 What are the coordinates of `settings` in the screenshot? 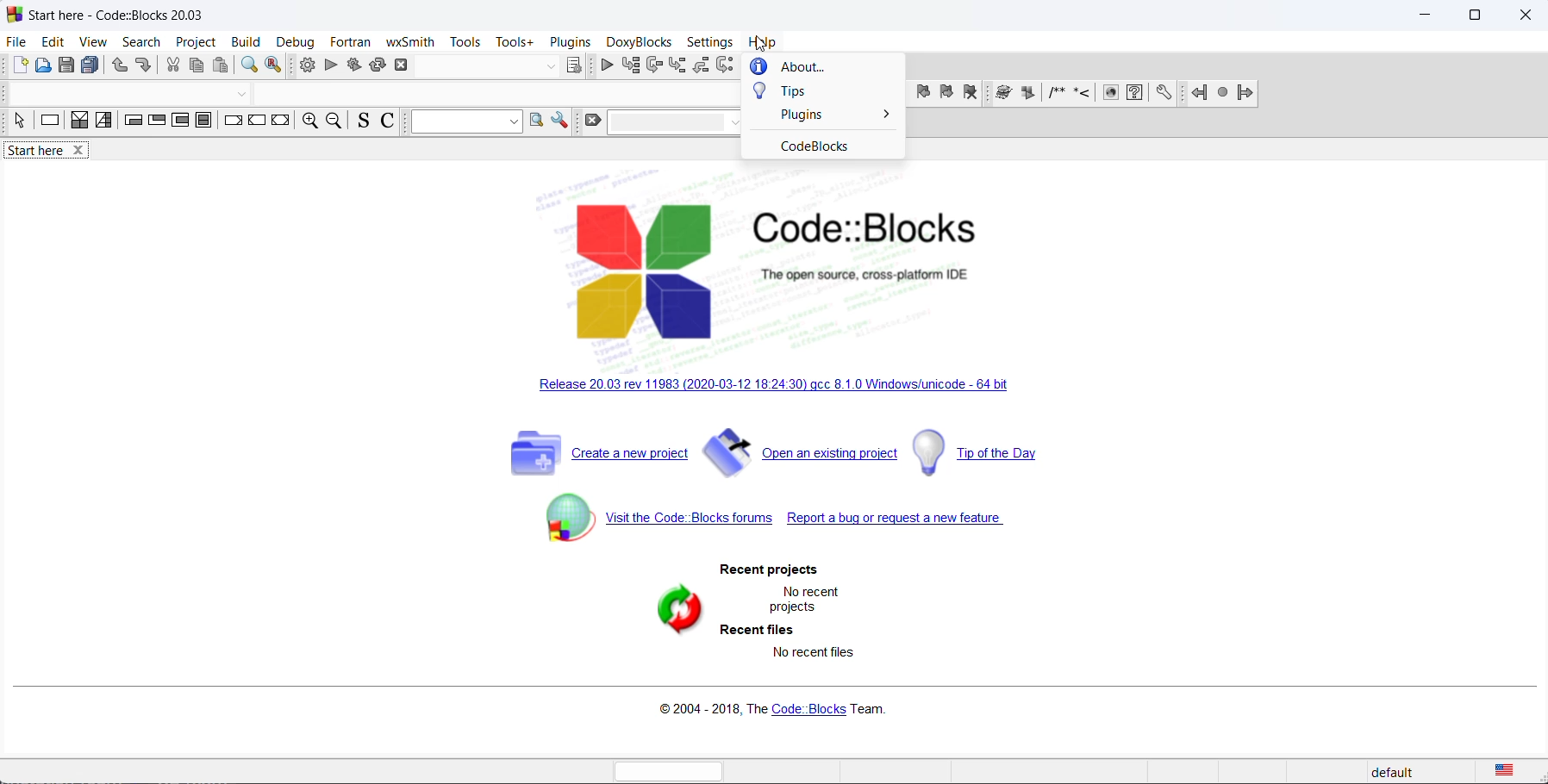 It's located at (561, 124).